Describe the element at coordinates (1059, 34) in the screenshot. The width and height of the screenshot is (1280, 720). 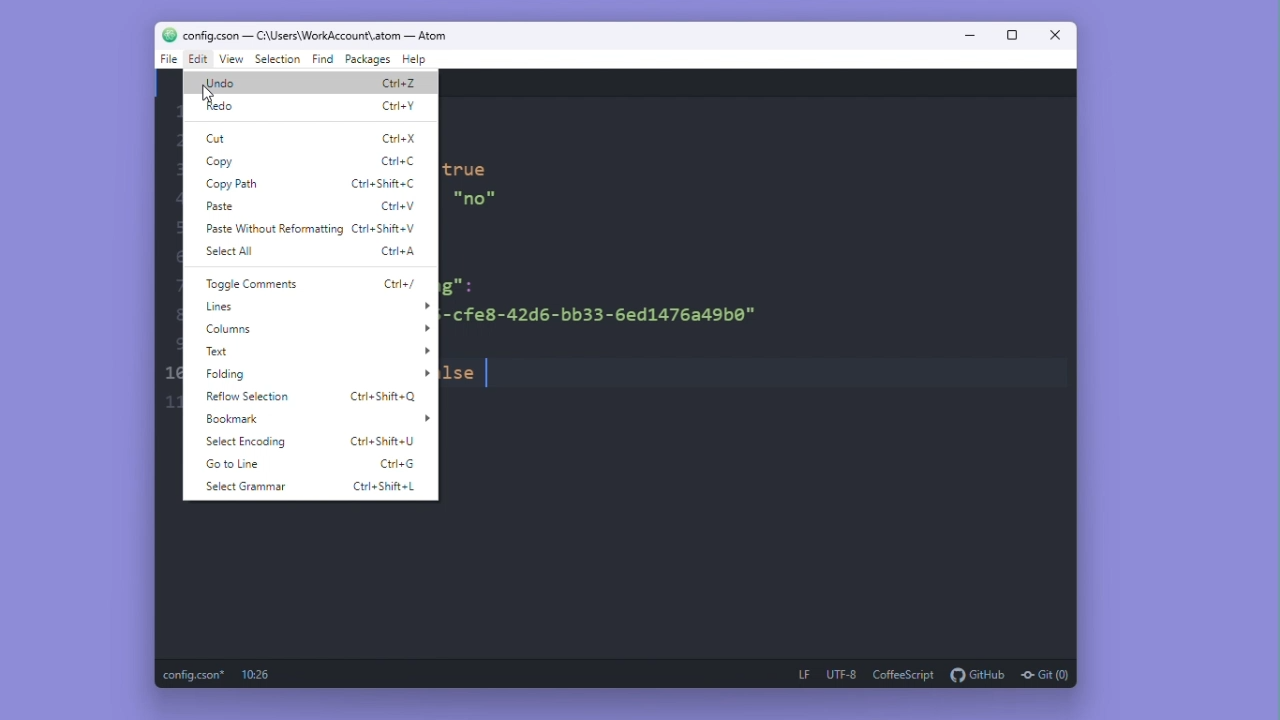
I see `Close` at that location.